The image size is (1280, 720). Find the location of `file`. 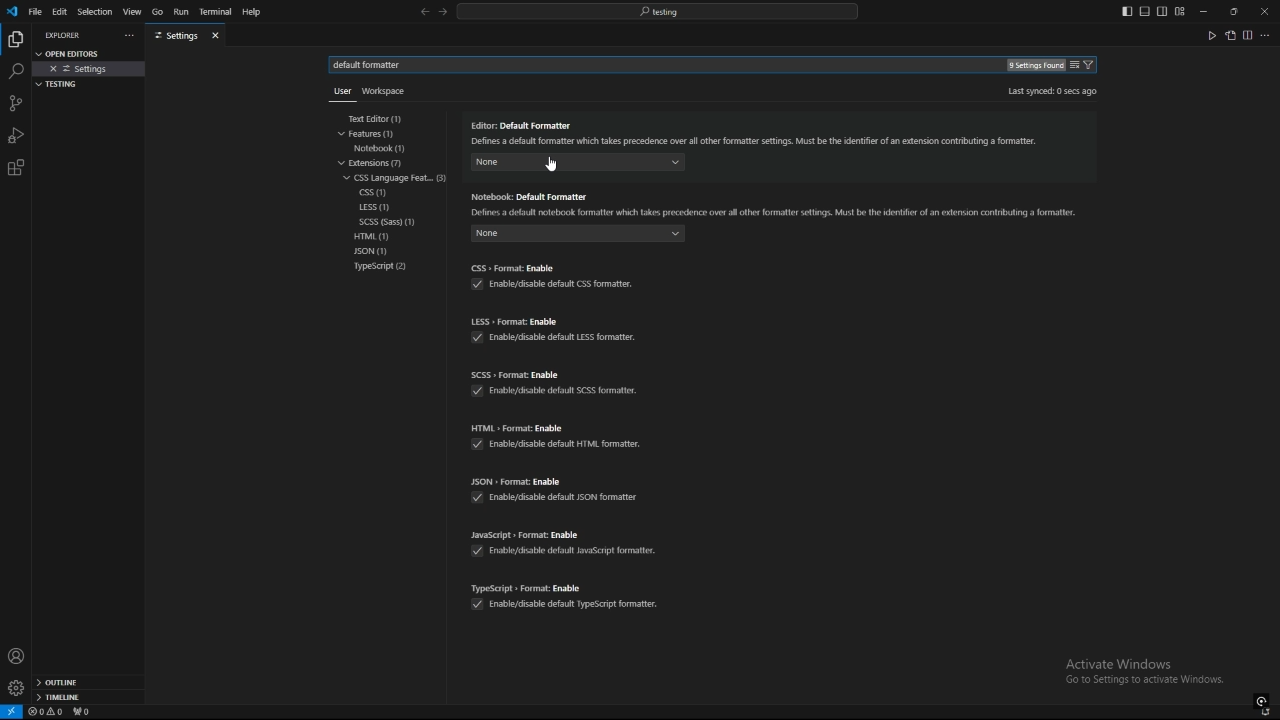

file is located at coordinates (35, 11).